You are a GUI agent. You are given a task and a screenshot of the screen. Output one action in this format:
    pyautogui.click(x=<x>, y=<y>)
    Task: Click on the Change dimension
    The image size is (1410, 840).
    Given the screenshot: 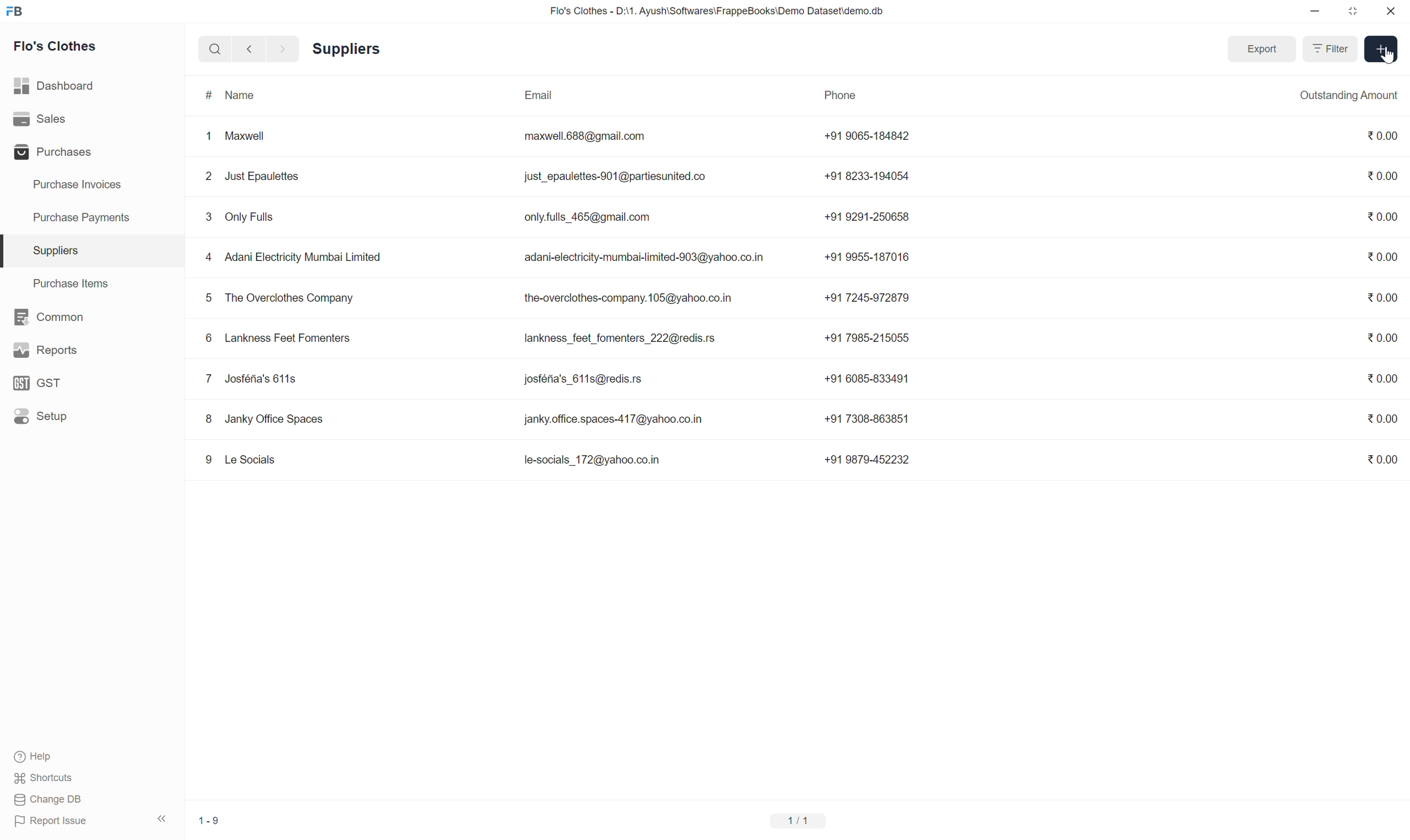 What is the action you would take?
    pyautogui.click(x=1353, y=11)
    